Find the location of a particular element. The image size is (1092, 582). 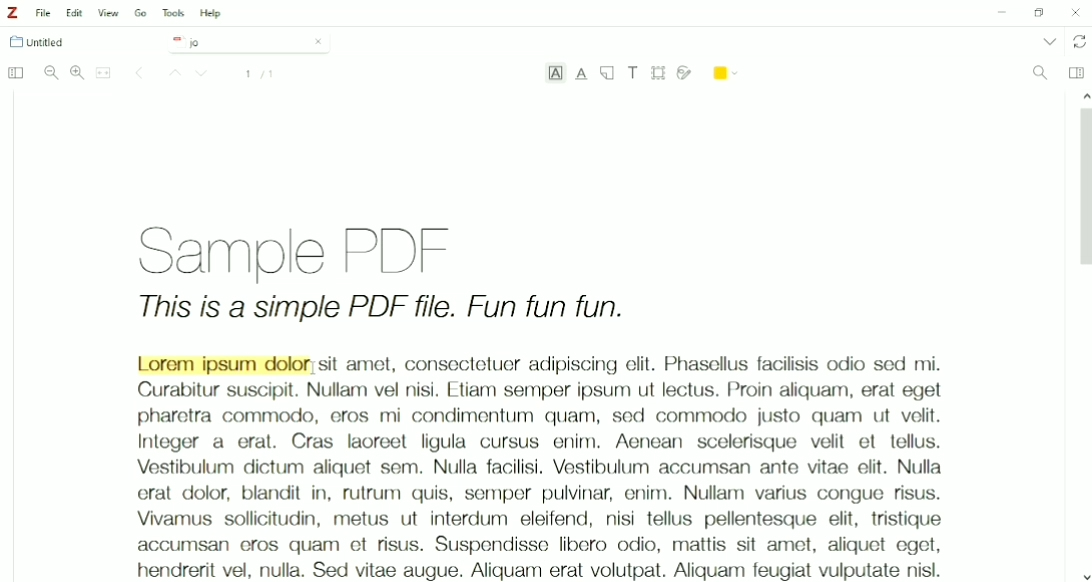

Toggle Sidebar is located at coordinates (14, 74).